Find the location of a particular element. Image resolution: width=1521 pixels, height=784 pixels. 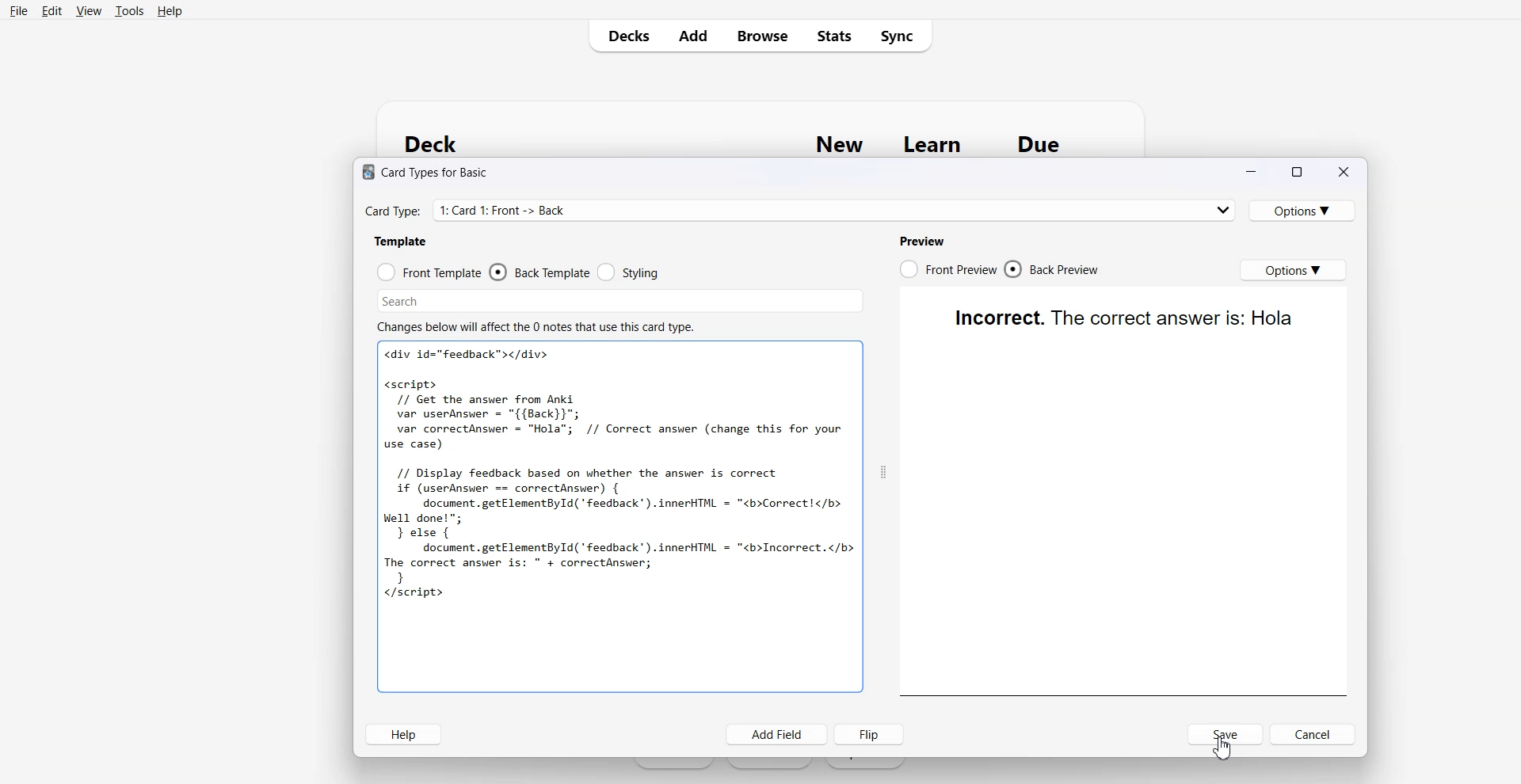

File is located at coordinates (18, 10).